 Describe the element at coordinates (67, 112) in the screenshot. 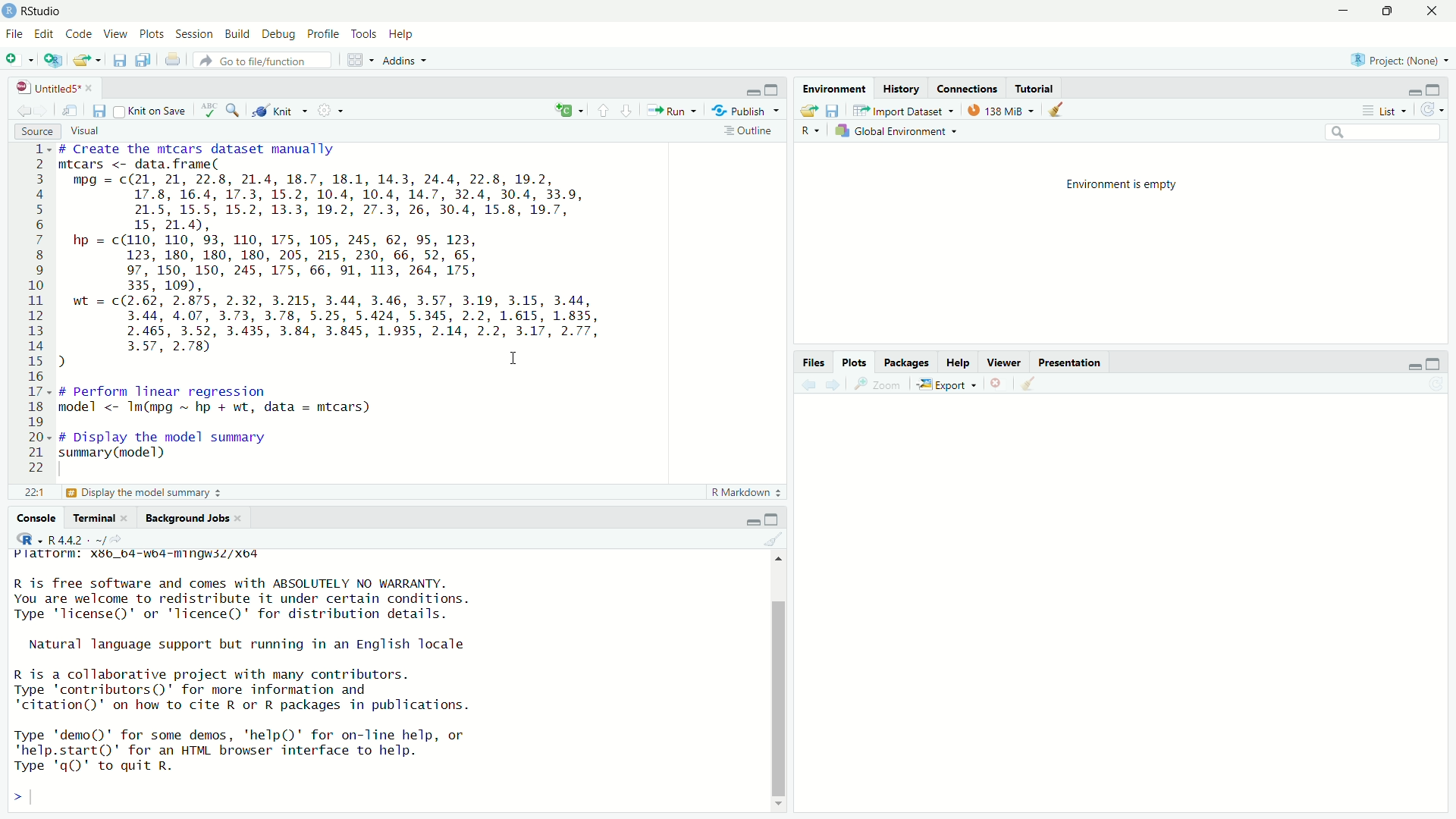

I see `show in new window` at that location.